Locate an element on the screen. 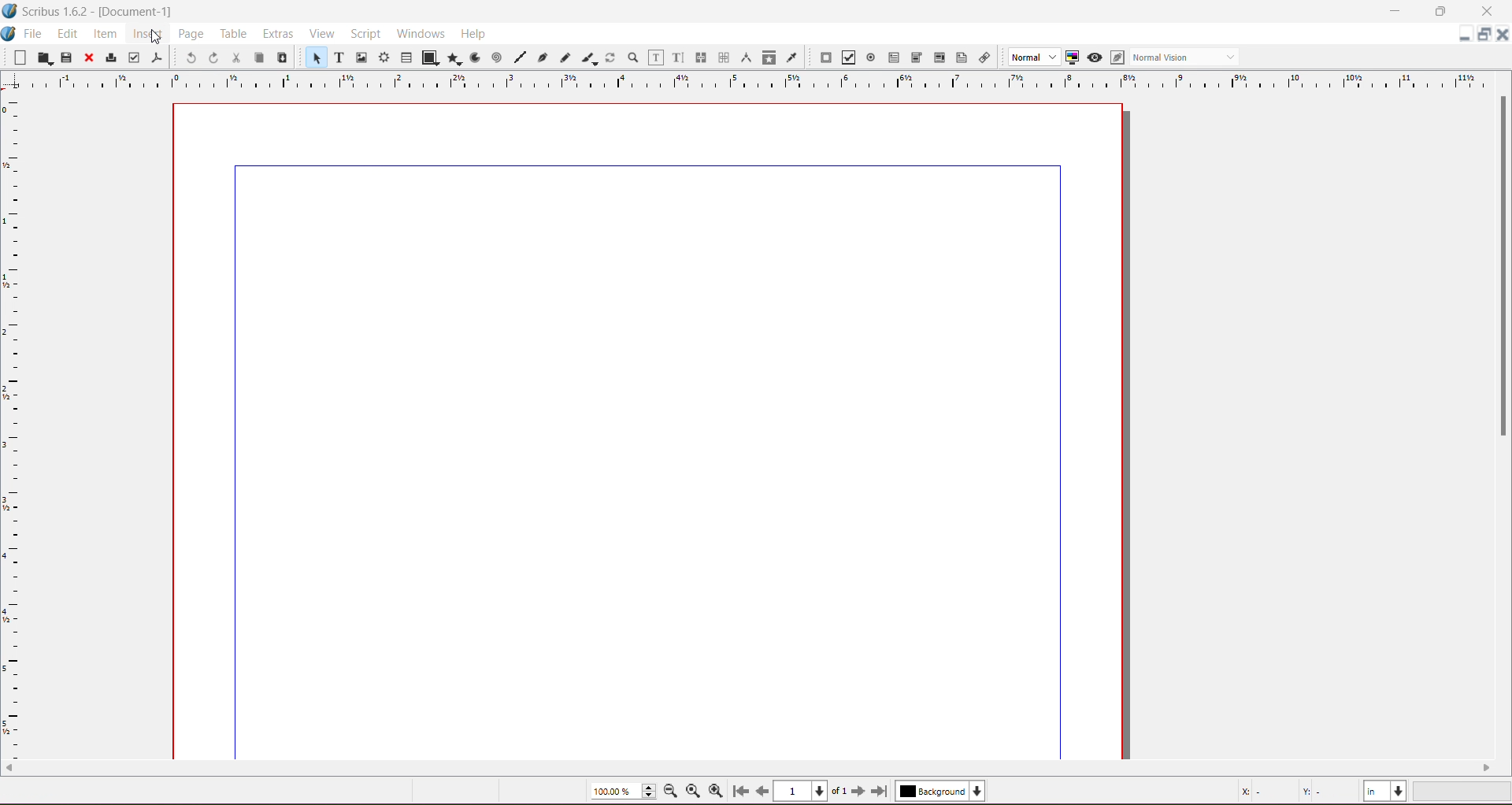 This screenshot has height=805, width=1512. Cursor Coordinate - Y  is located at coordinates (1323, 791).